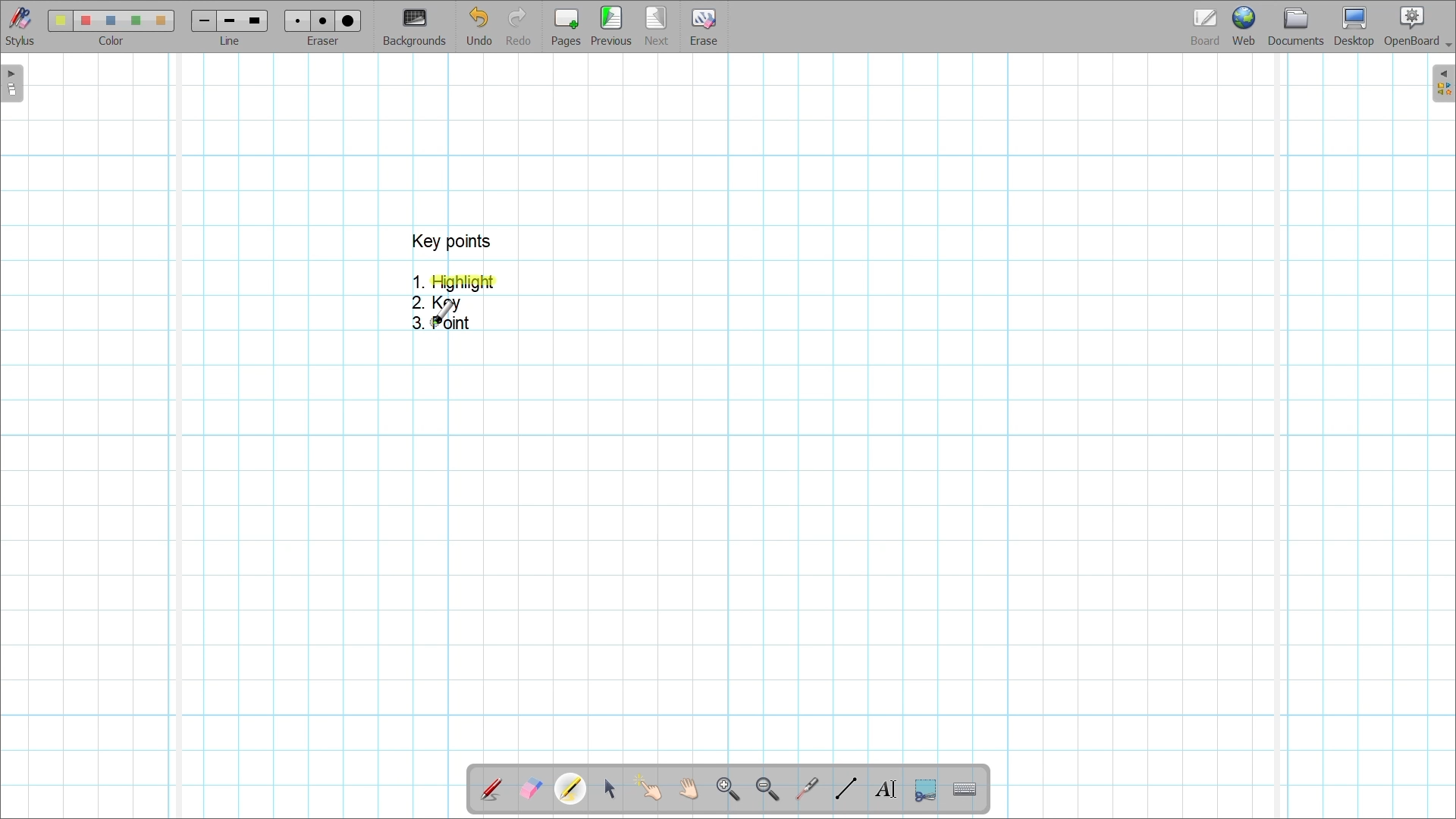  Describe the element at coordinates (656, 26) in the screenshot. I see `Go to next page` at that location.